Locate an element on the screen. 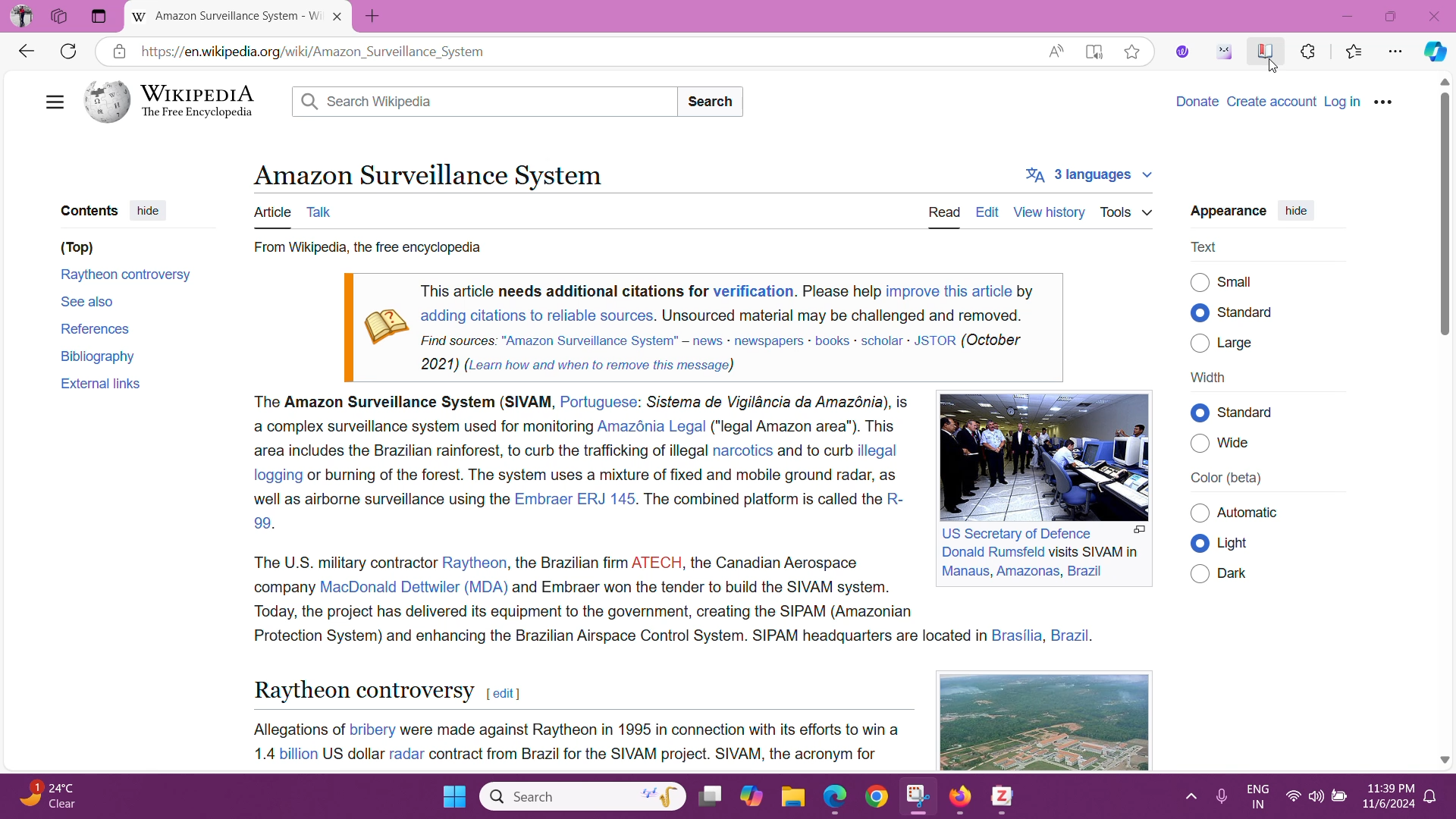  image is located at coordinates (975, 721).